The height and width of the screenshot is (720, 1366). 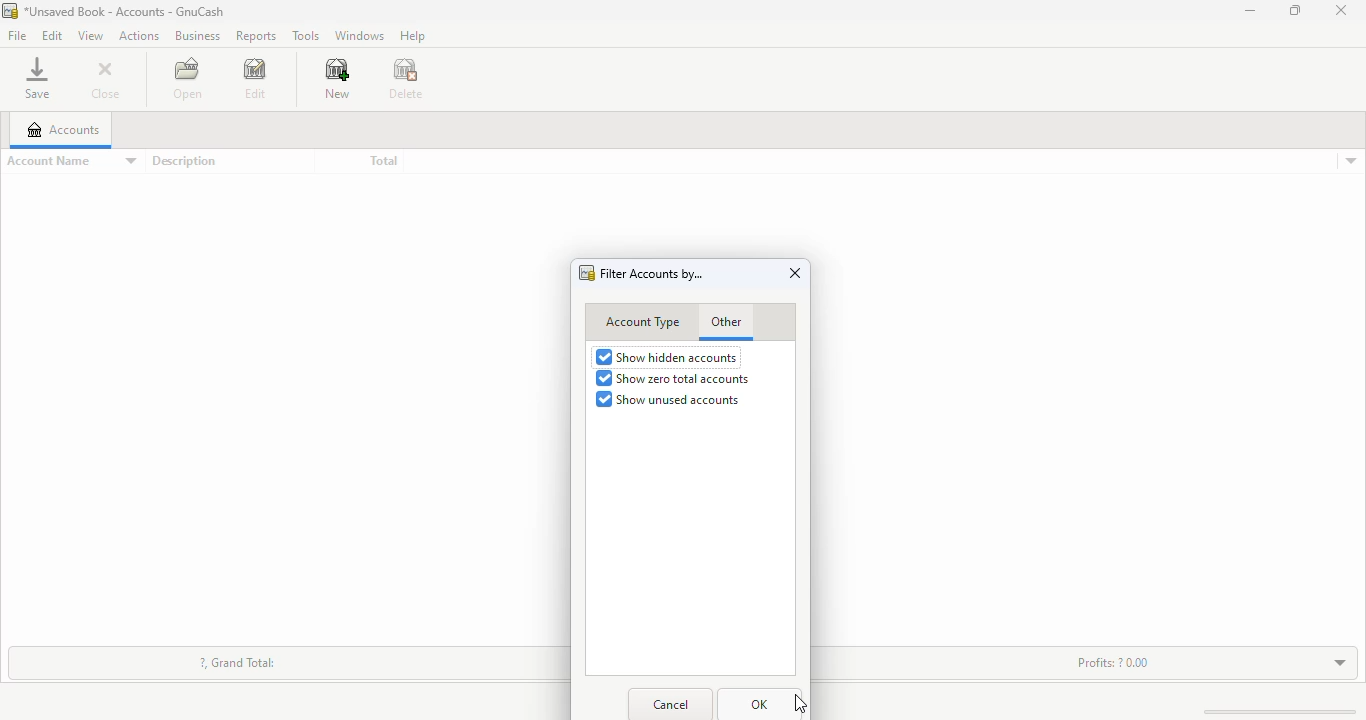 I want to click on other, so click(x=725, y=323).